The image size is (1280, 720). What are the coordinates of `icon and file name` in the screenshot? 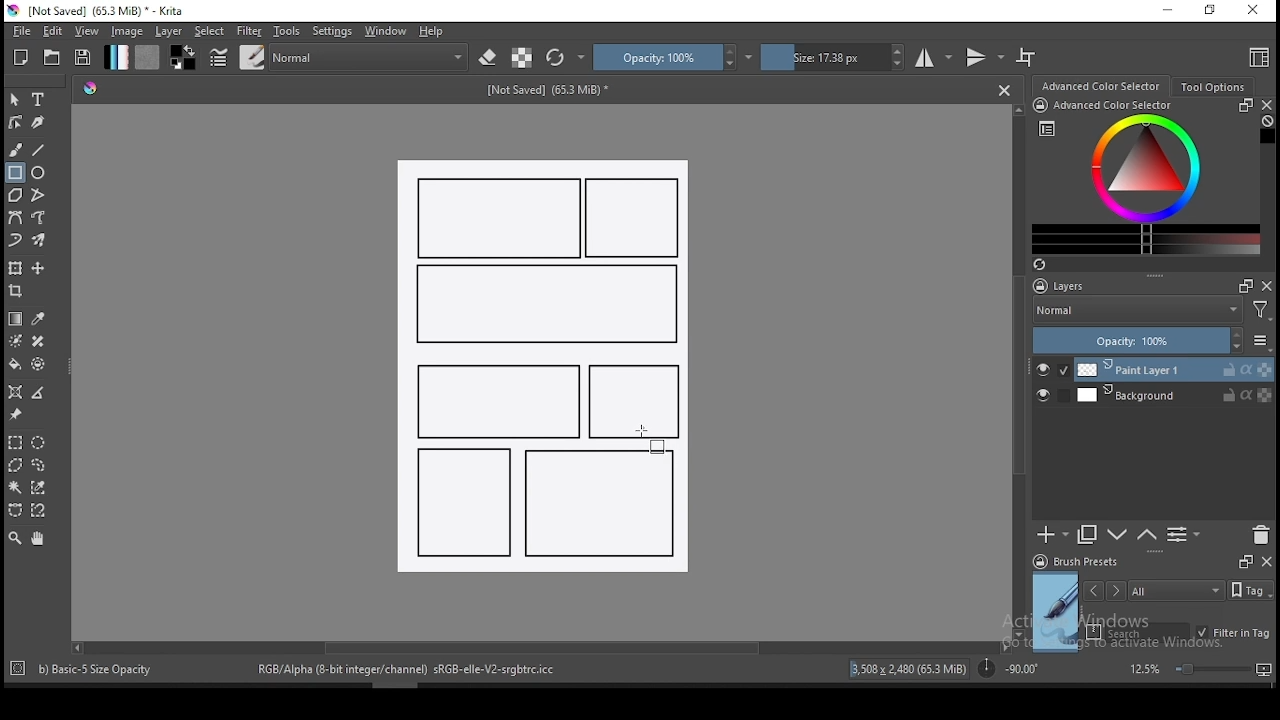 It's located at (99, 11).